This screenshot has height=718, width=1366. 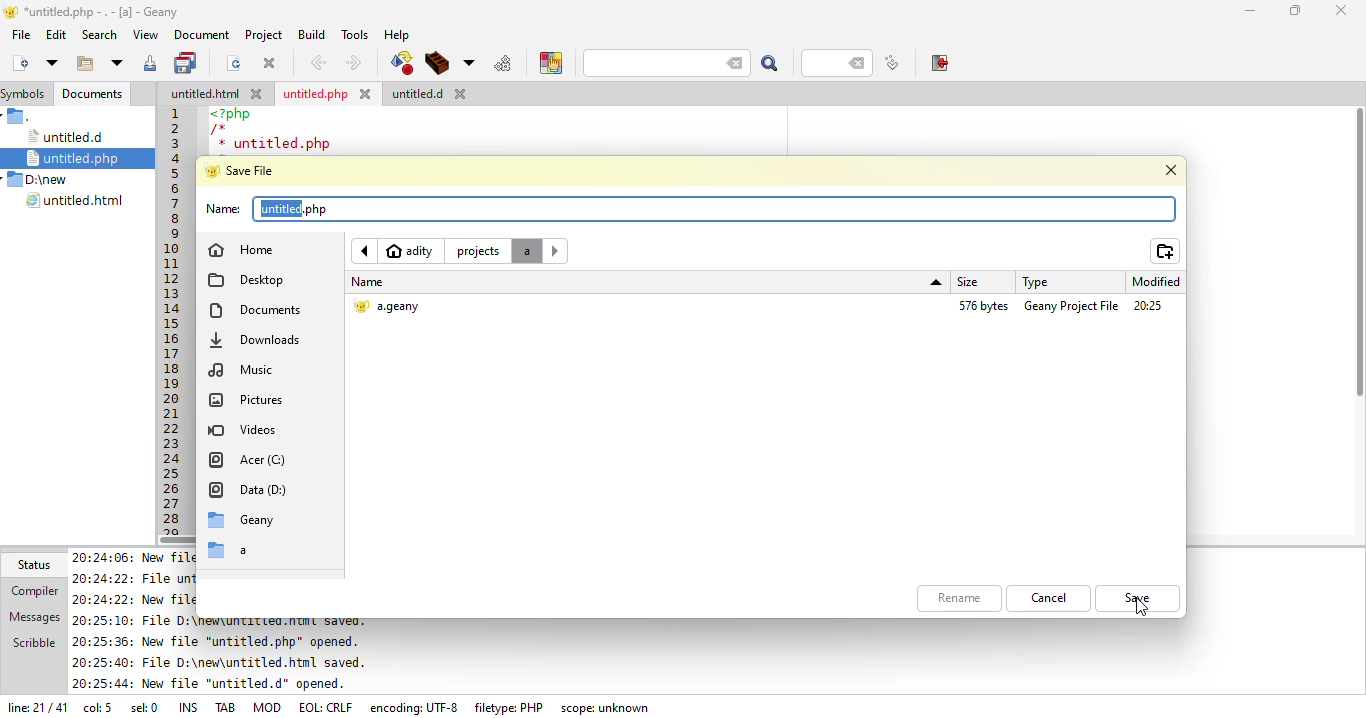 What do you see at coordinates (248, 430) in the screenshot?
I see `videos` at bounding box center [248, 430].